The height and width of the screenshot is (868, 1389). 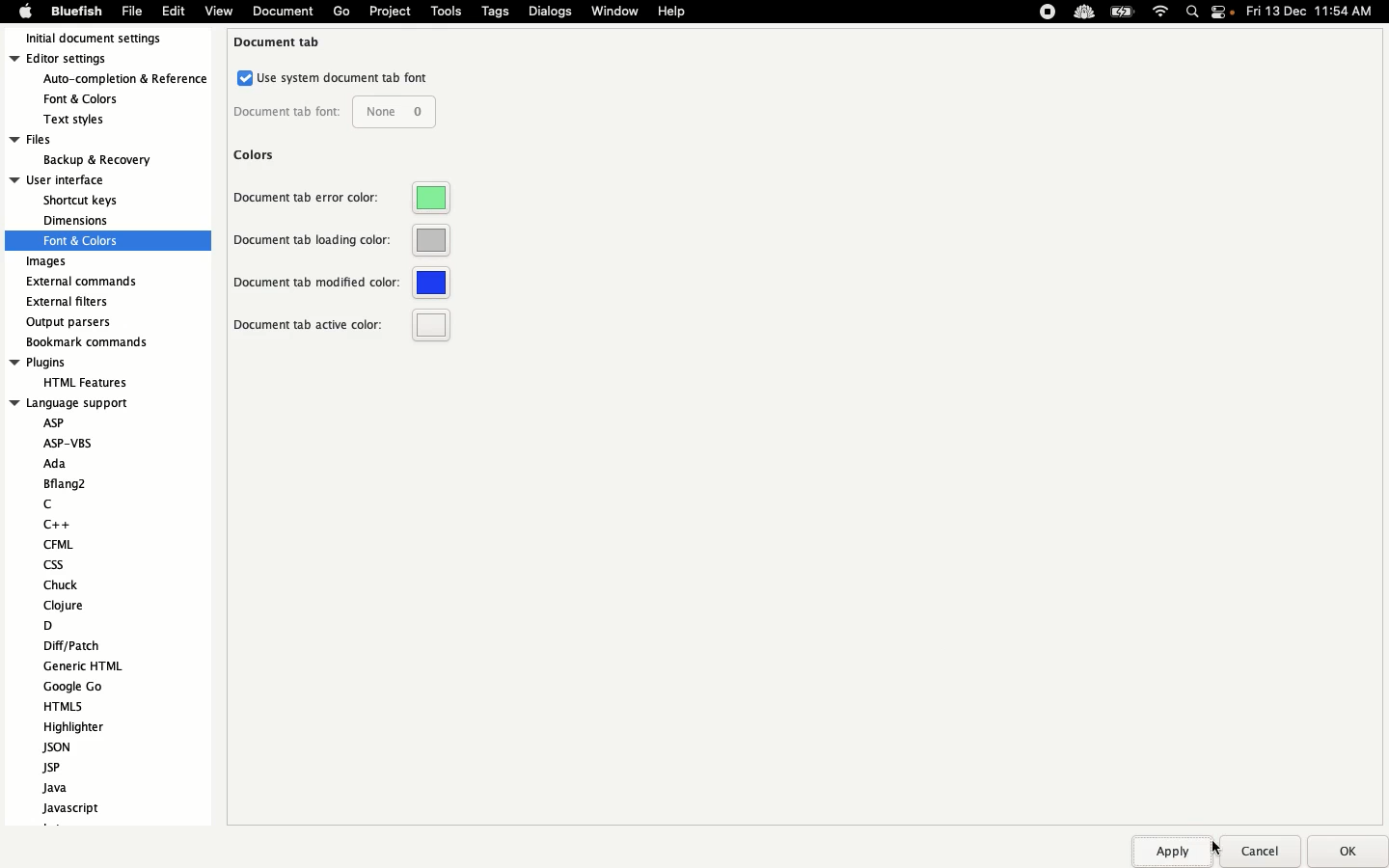 I want to click on Apple logo, so click(x=25, y=11).